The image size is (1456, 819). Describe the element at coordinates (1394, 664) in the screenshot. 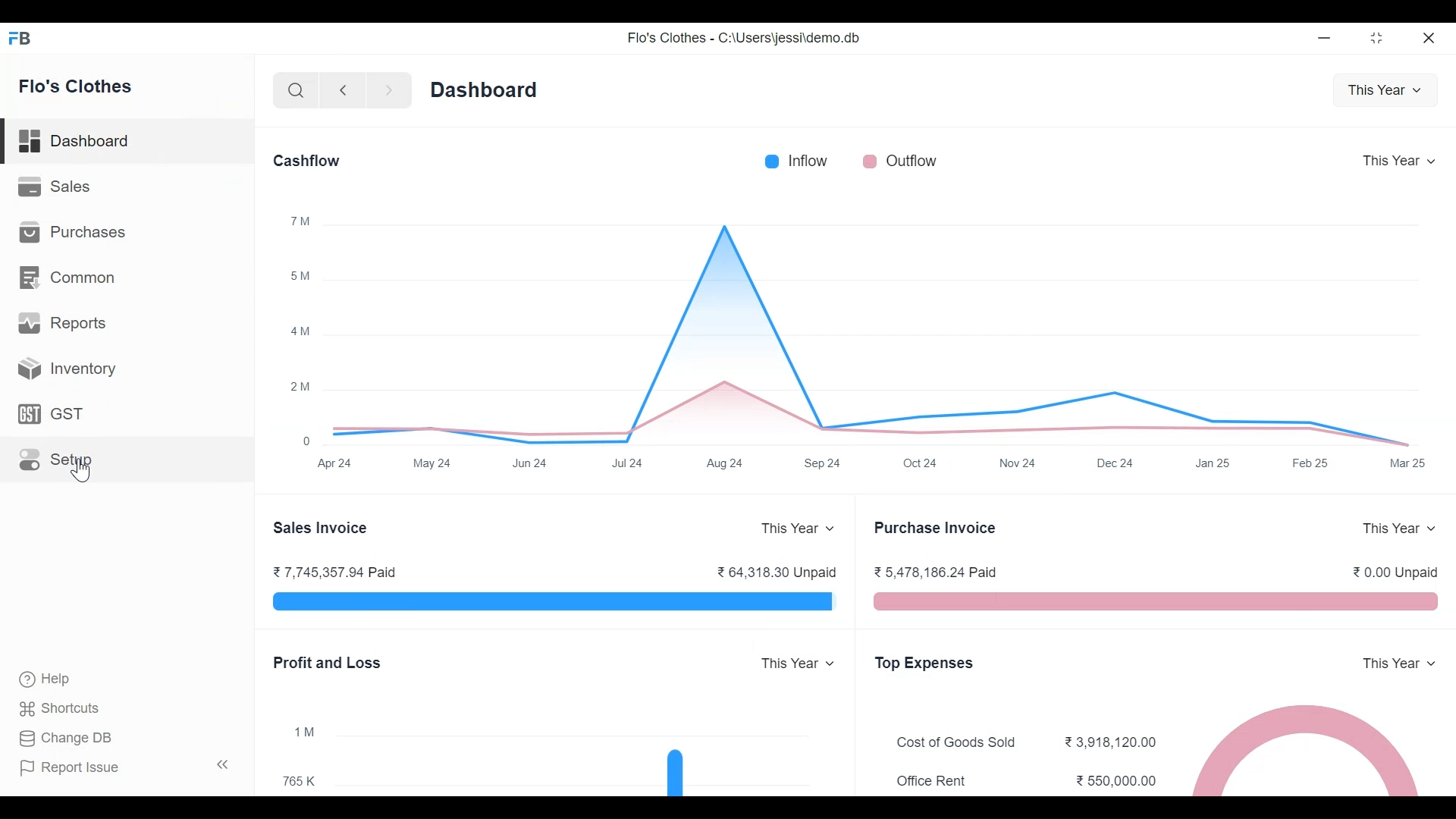

I see `This Year` at that location.